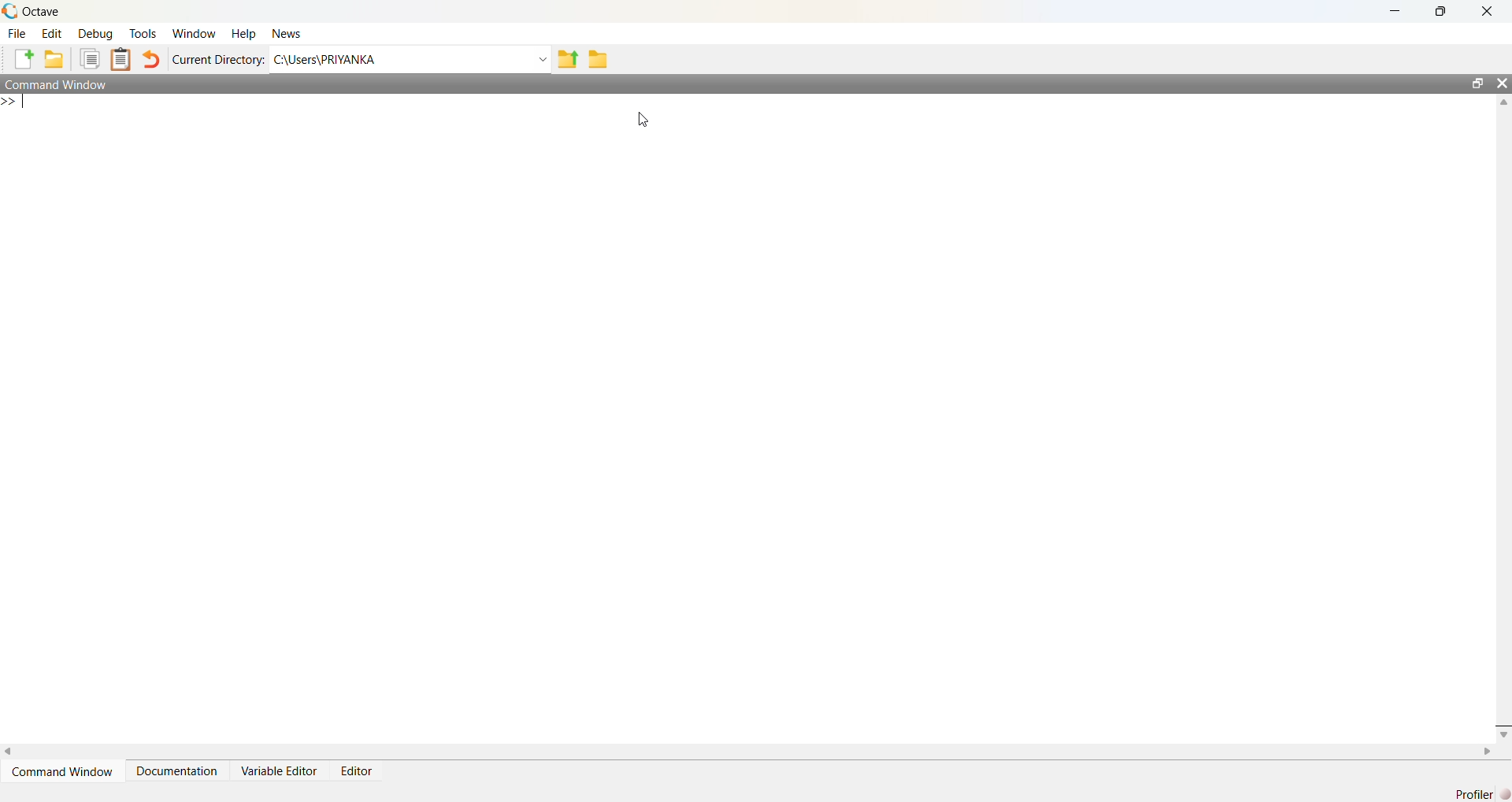 The image size is (1512, 802). I want to click on Debug, so click(94, 33).